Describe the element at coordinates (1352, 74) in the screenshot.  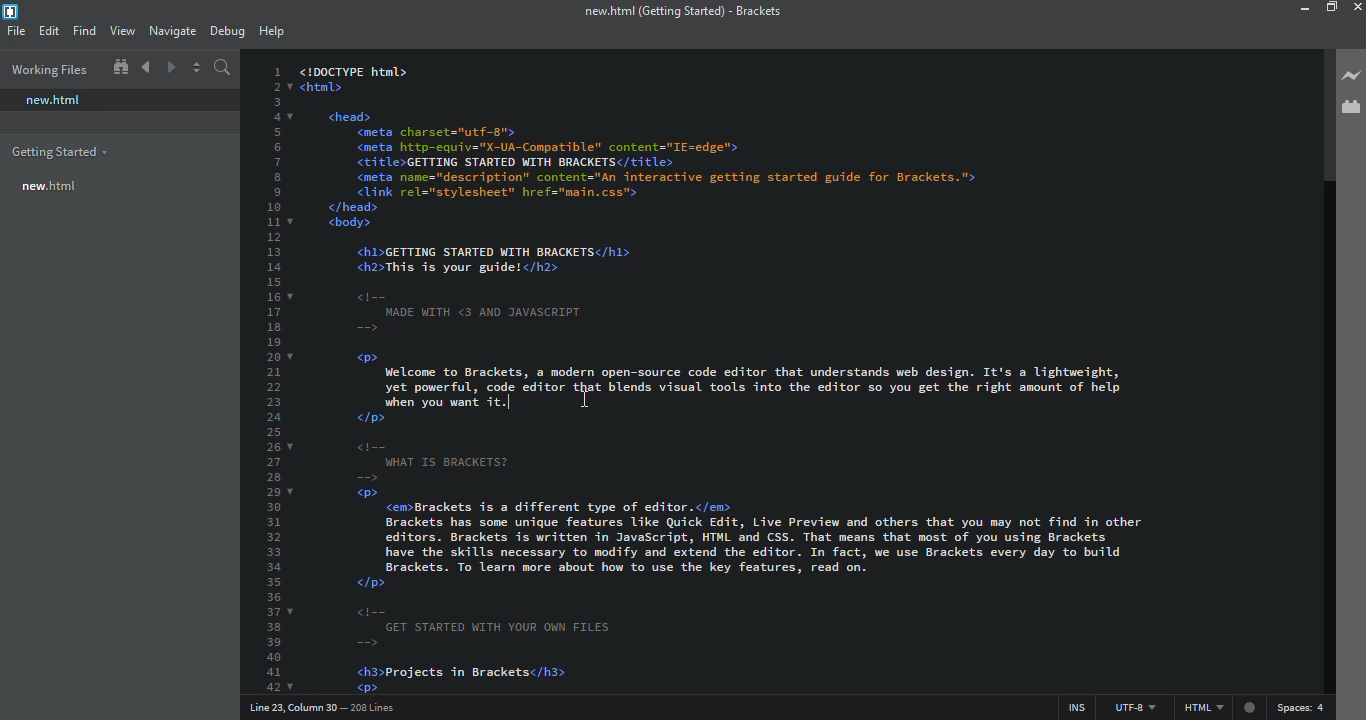
I see `live preview` at that location.